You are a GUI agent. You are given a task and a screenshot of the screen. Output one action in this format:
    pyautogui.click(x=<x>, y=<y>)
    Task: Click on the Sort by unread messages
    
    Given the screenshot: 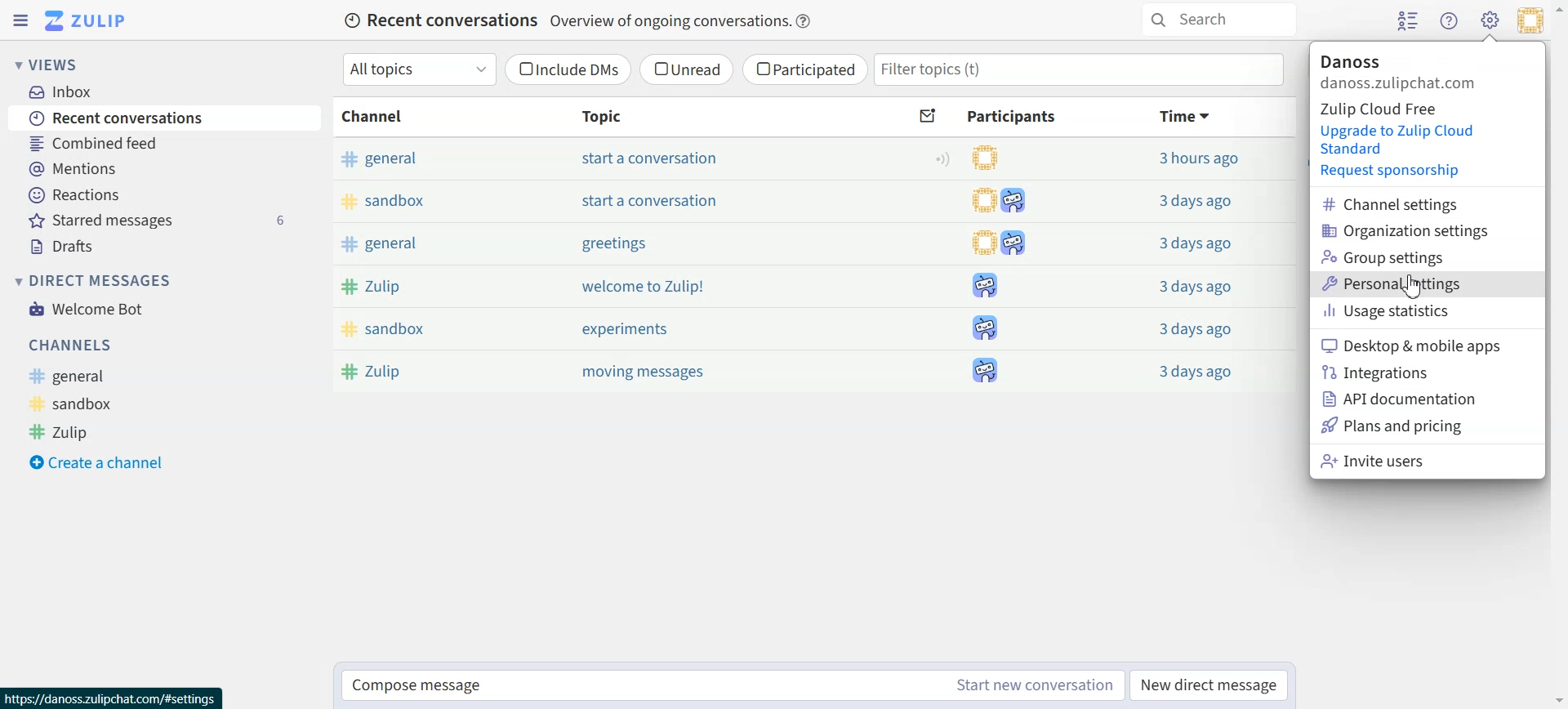 What is the action you would take?
    pyautogui.click(x=928, y=115)
    